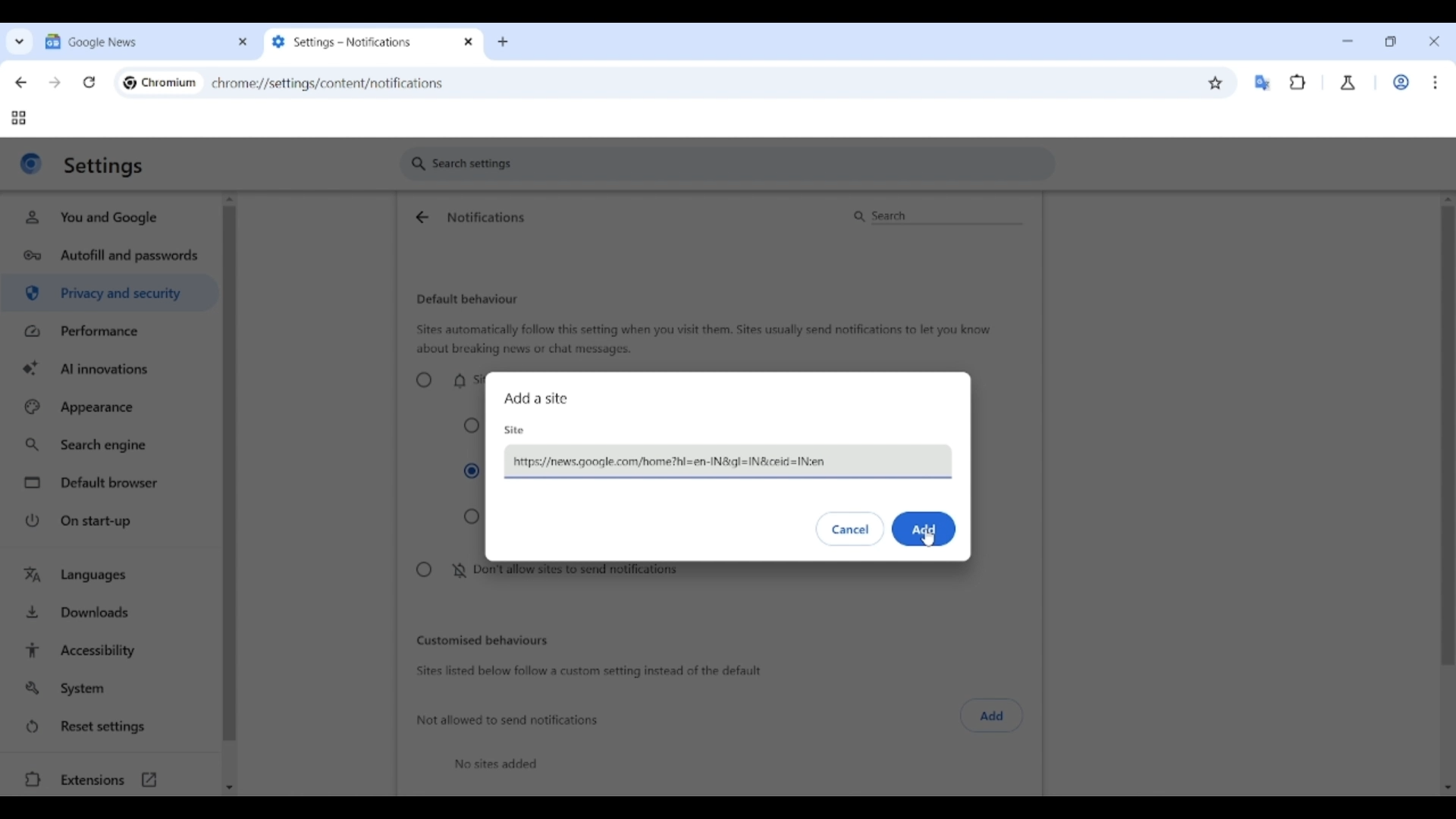 Image resolution: width=1456 pixels, height=819 pixels. What do you see at coordinates (472, 426) in the screenshot?
I see `Collapse all requests in the address bar` at bounding box center [472, 426].